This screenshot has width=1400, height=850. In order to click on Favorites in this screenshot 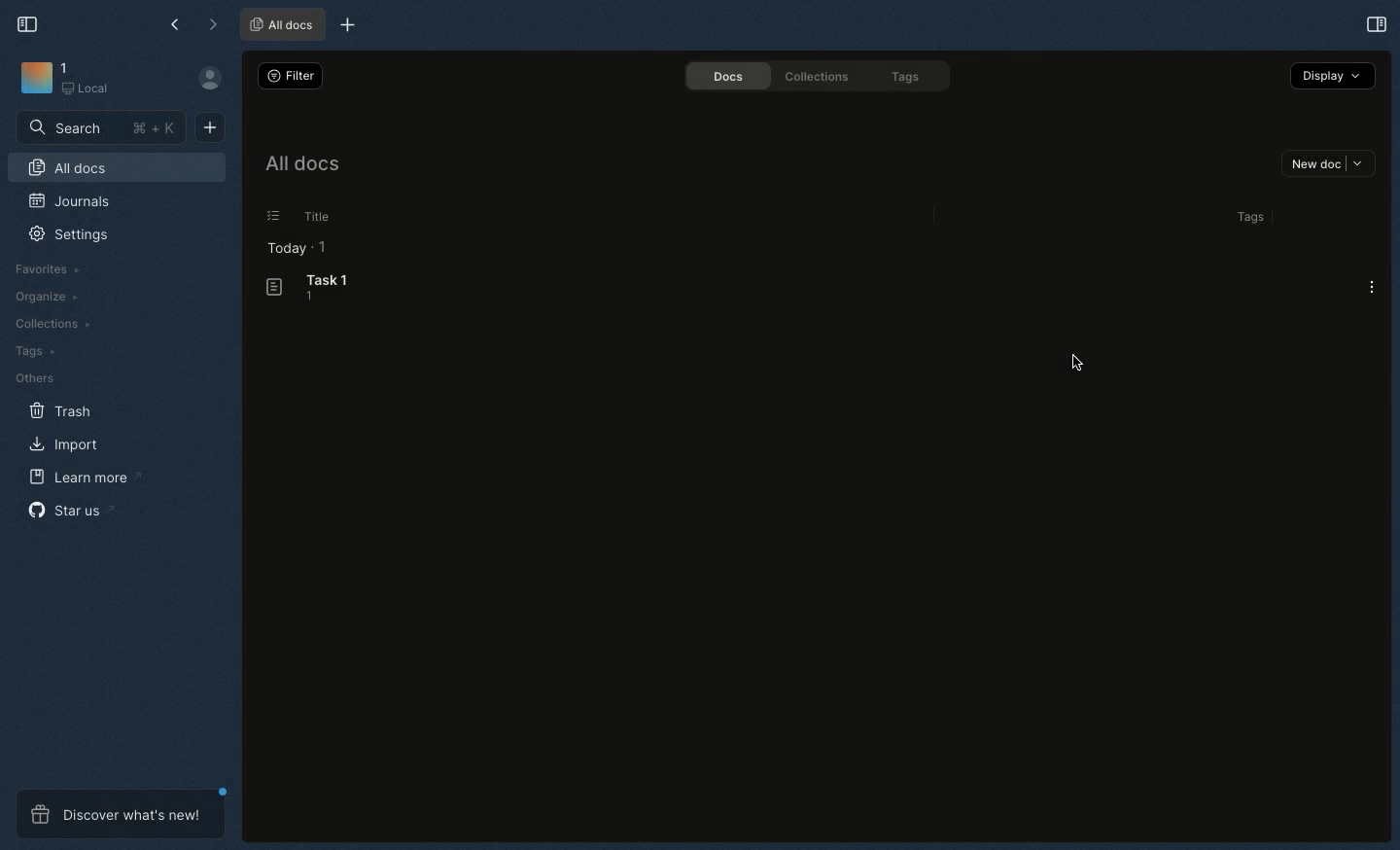, I will do `click(50, 269)`.